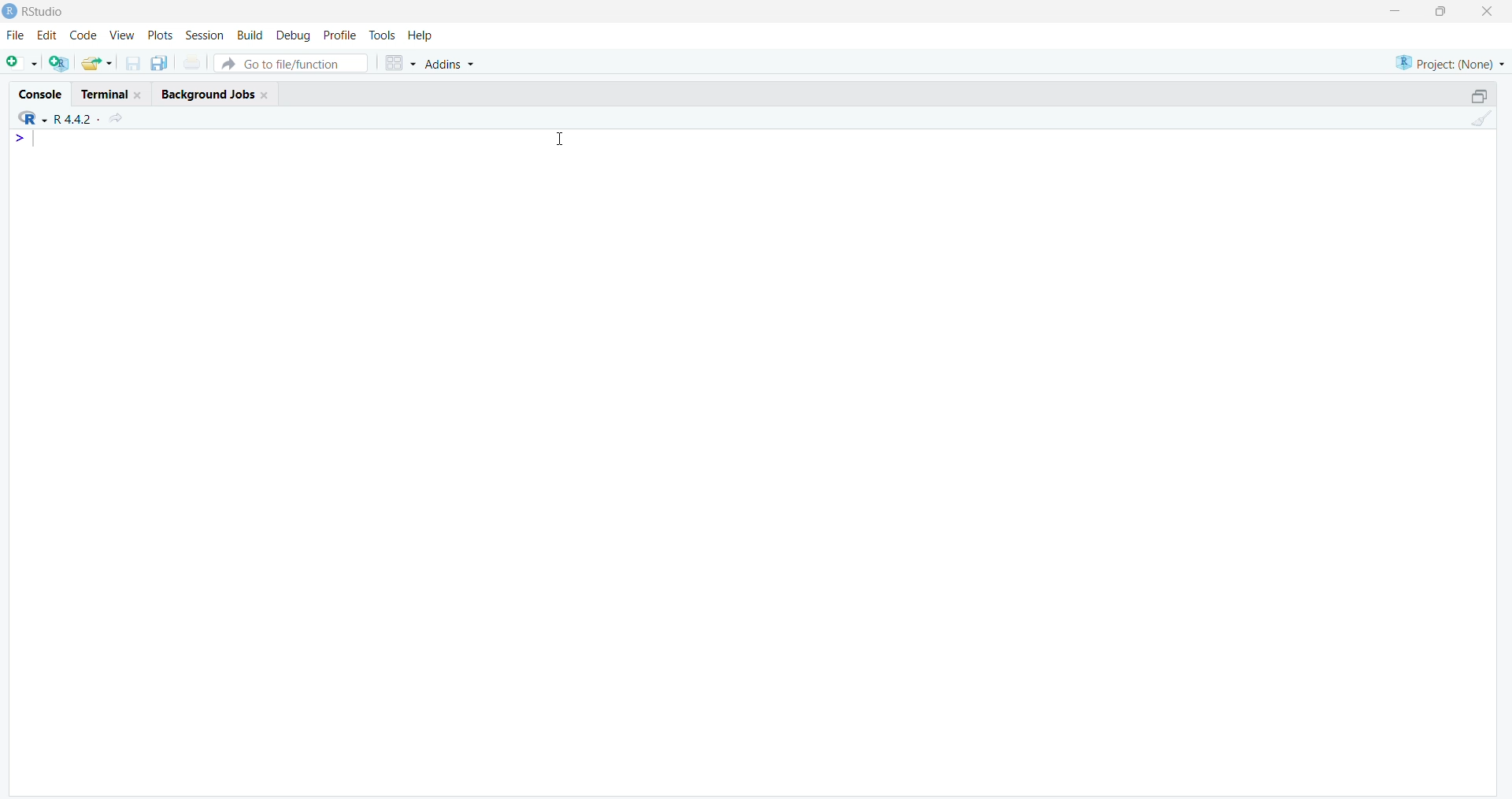  Describe the element at coordinates (13, 38) in the screenshot. I see `File` at that location.